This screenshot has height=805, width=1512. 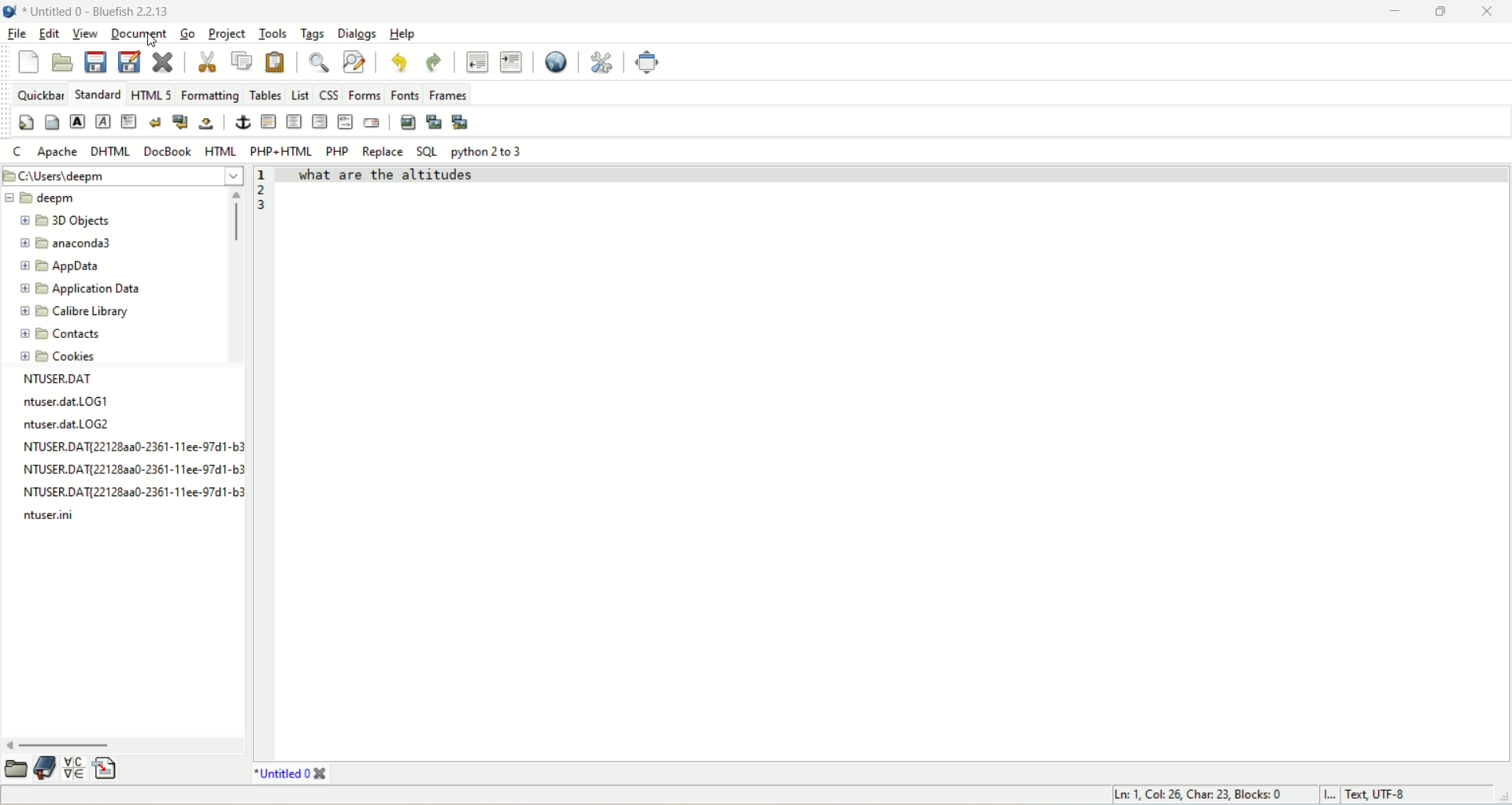 I want to click on python 2 to 3, so click(x=488, y=153).